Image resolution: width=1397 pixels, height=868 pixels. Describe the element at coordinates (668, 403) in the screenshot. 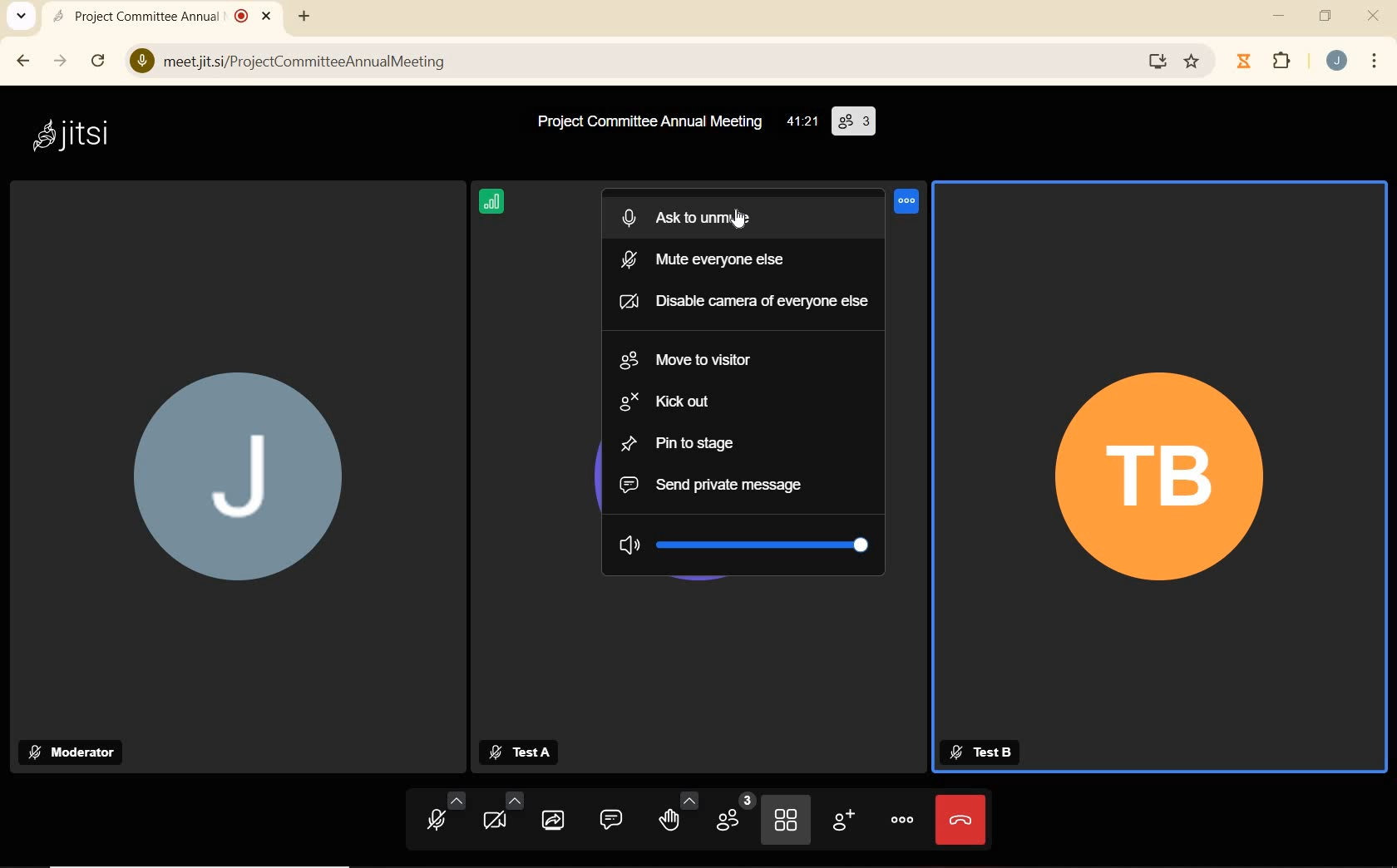

I see `KICK OUT` at that location.